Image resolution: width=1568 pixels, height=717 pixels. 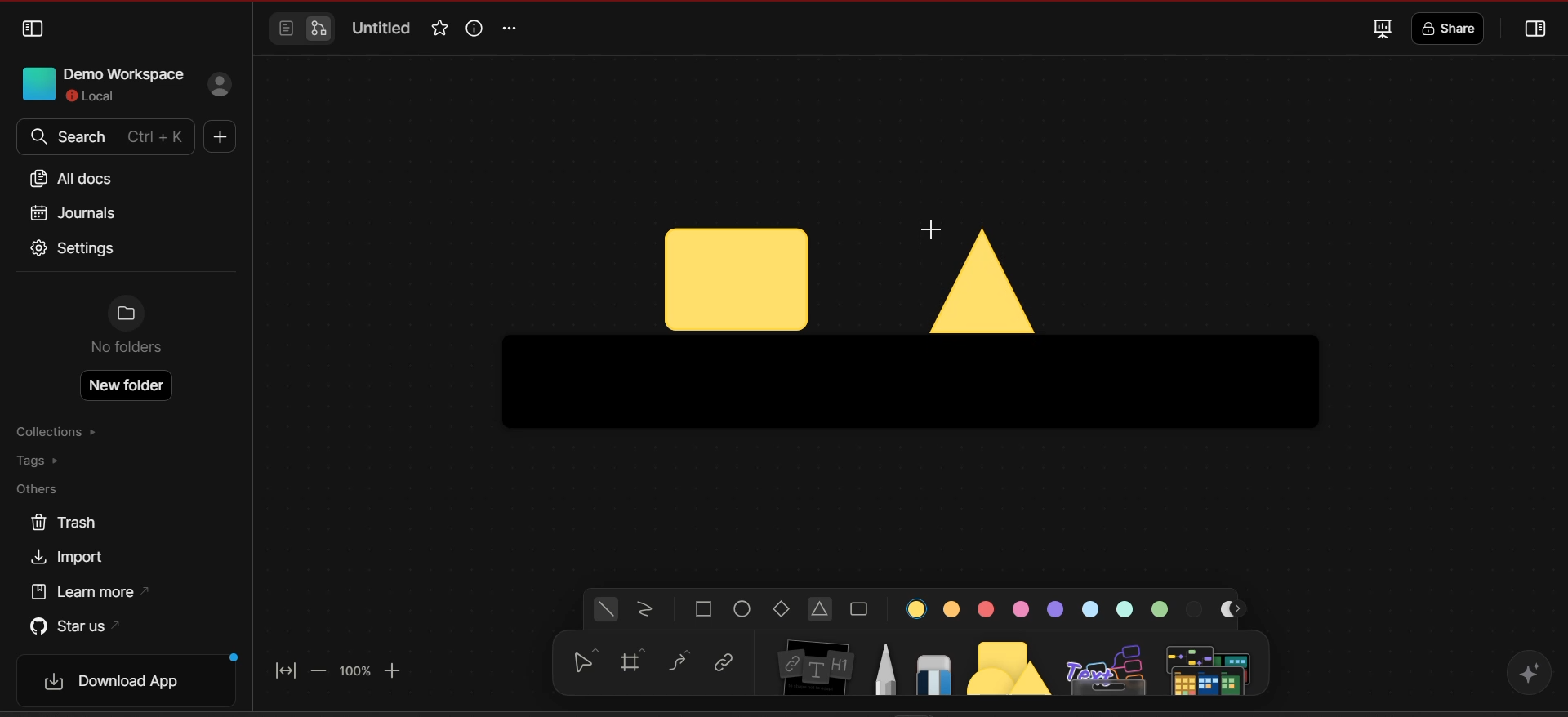 What do you see at coordinates (817, 663) in the screenshot?
I see `note` at bounding box center [817, 663].